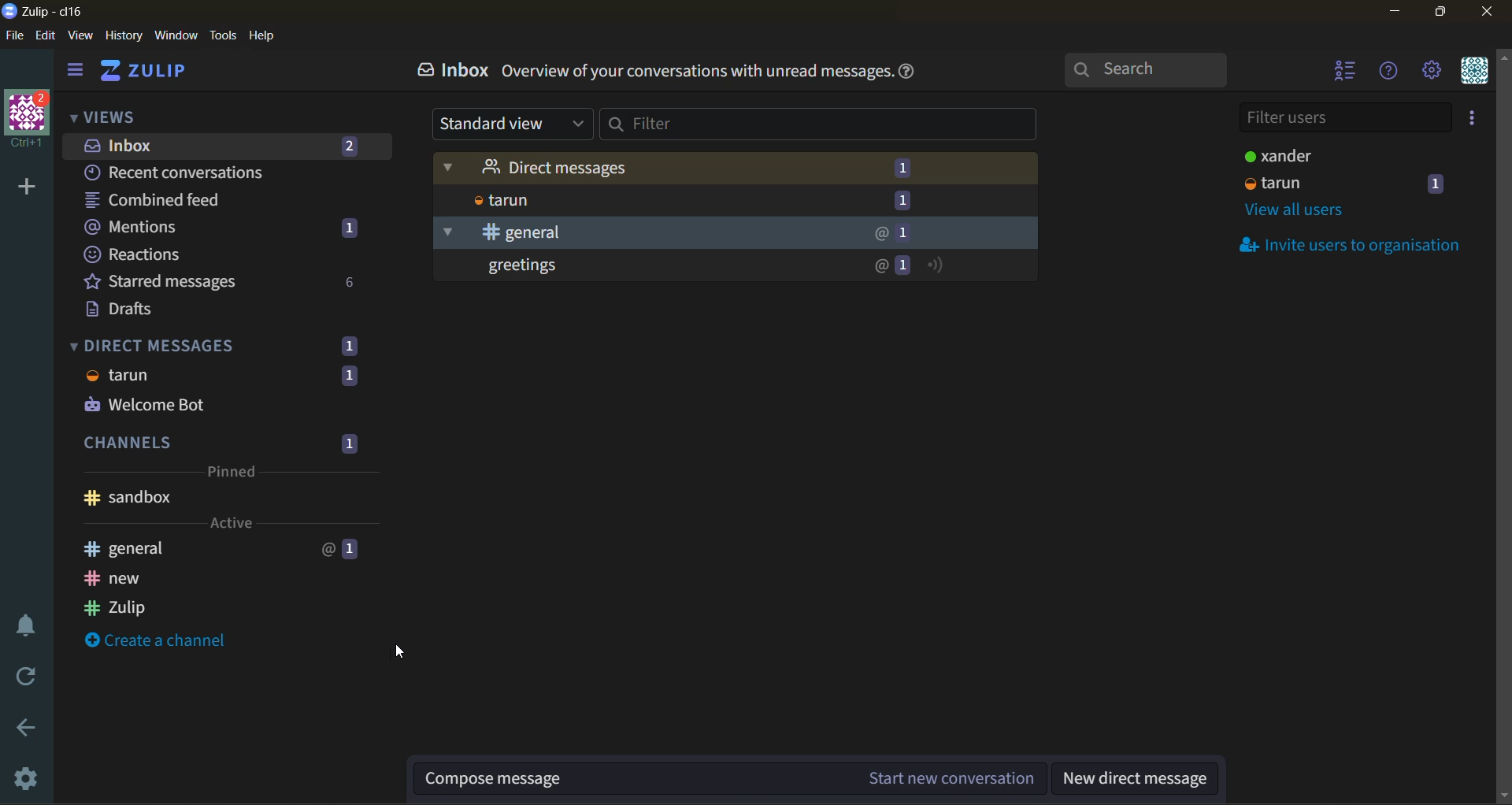 This screenshot has width=1512, height=805. Describe the element at coordinates (222, 577) in the screenshot. I see `new` at that location.